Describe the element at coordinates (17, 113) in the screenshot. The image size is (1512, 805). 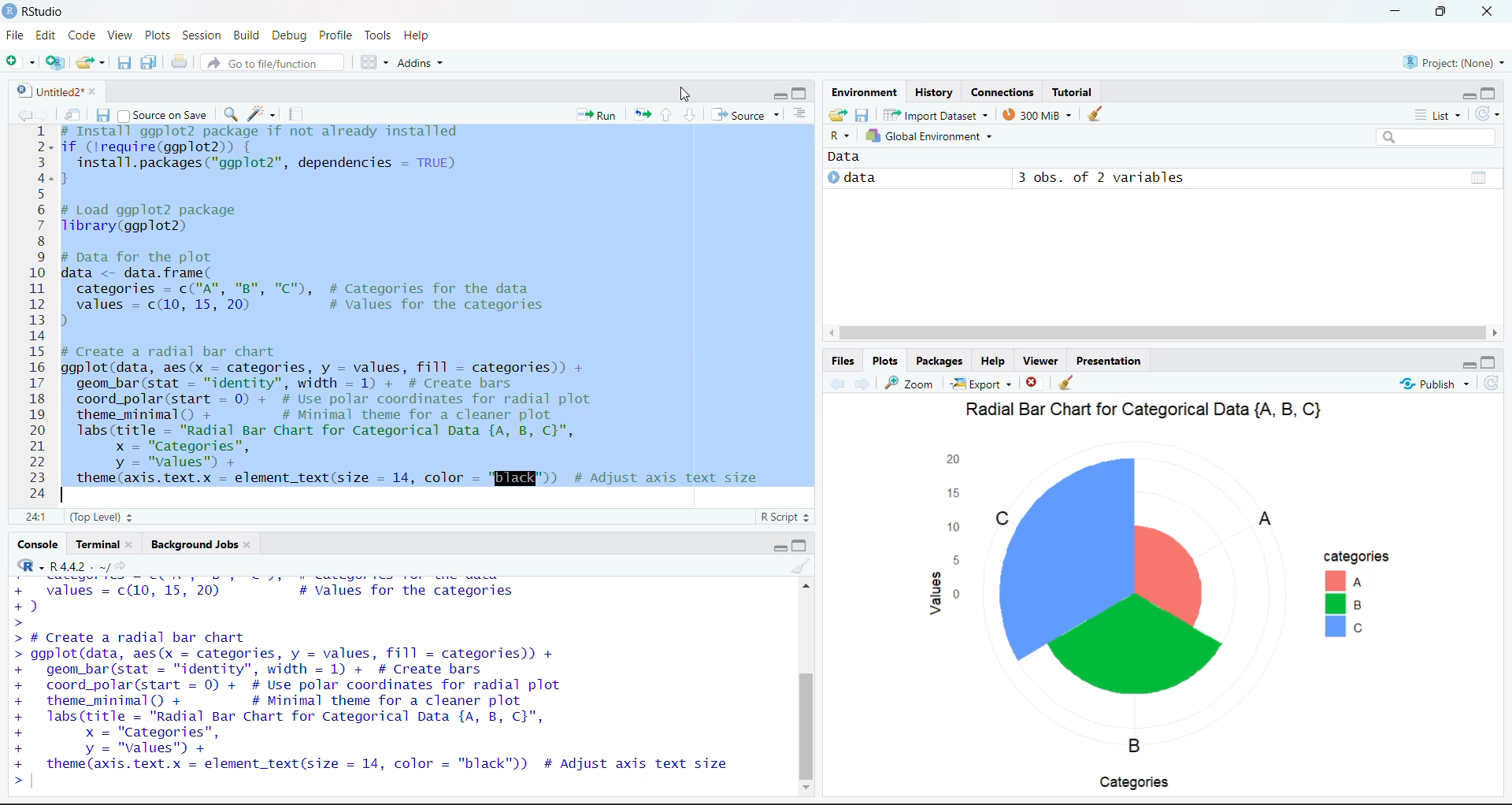
I see `go back to the previous source location` at that location.